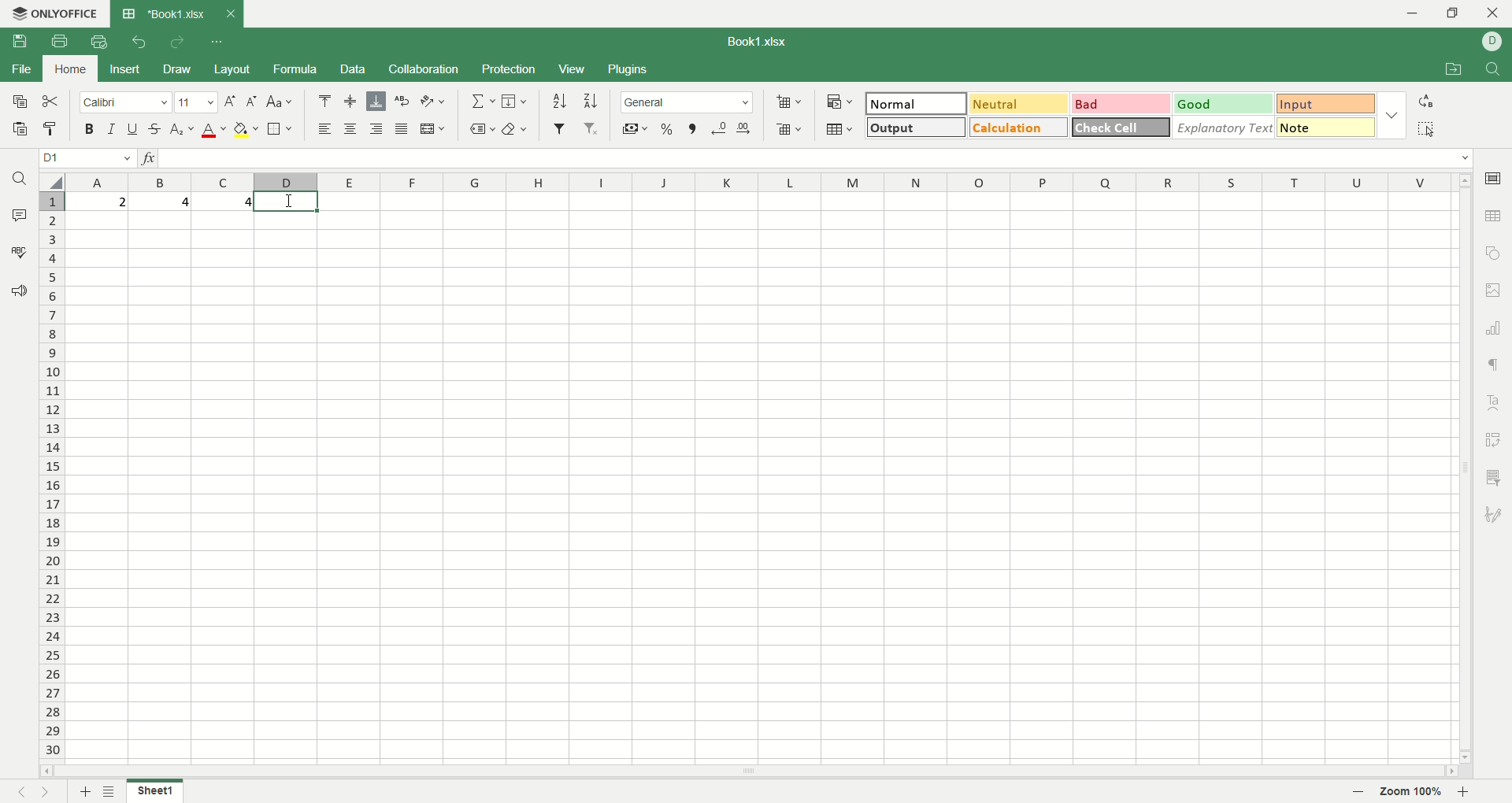 Image resolution: width=1512 pixels, height=803 pixels. Describe the element at coordinates (246, 130) in the screenshot. I see `fill color` at that location.